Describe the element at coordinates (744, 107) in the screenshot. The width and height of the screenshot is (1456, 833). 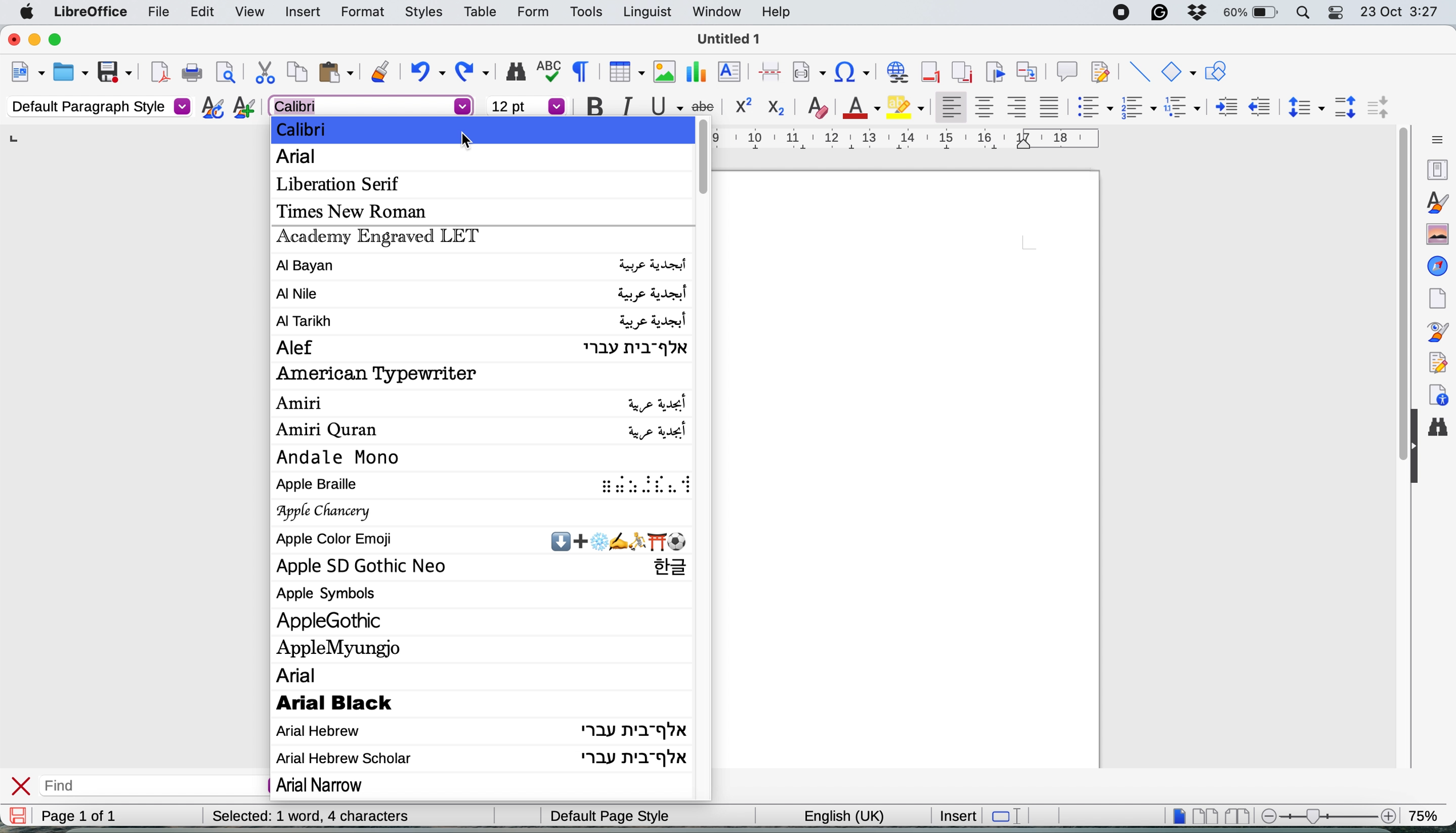
I see `superscrpit` at that location.